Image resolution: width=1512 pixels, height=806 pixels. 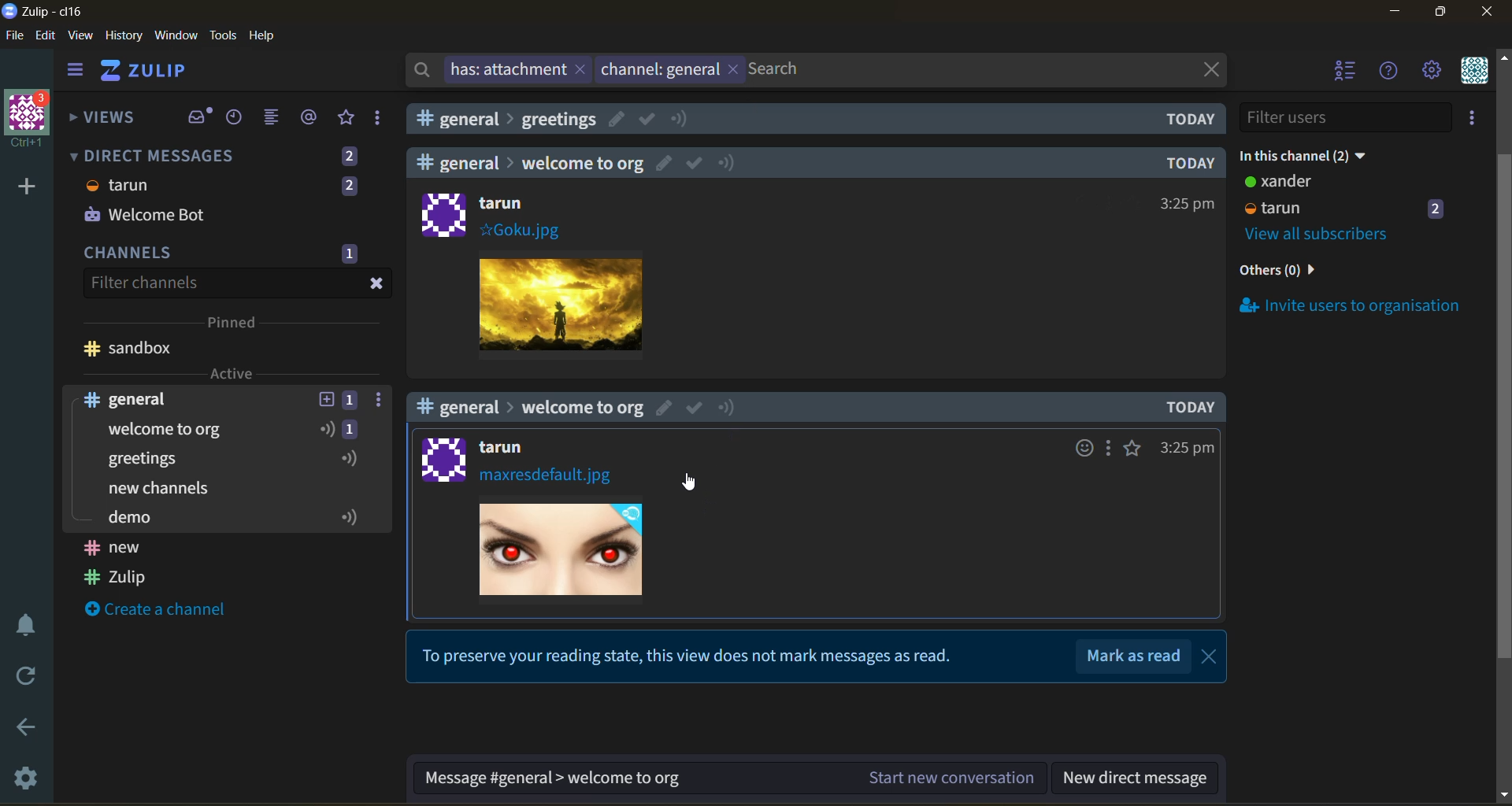 I want to click on TODAY, so click(x=1186, y=162).